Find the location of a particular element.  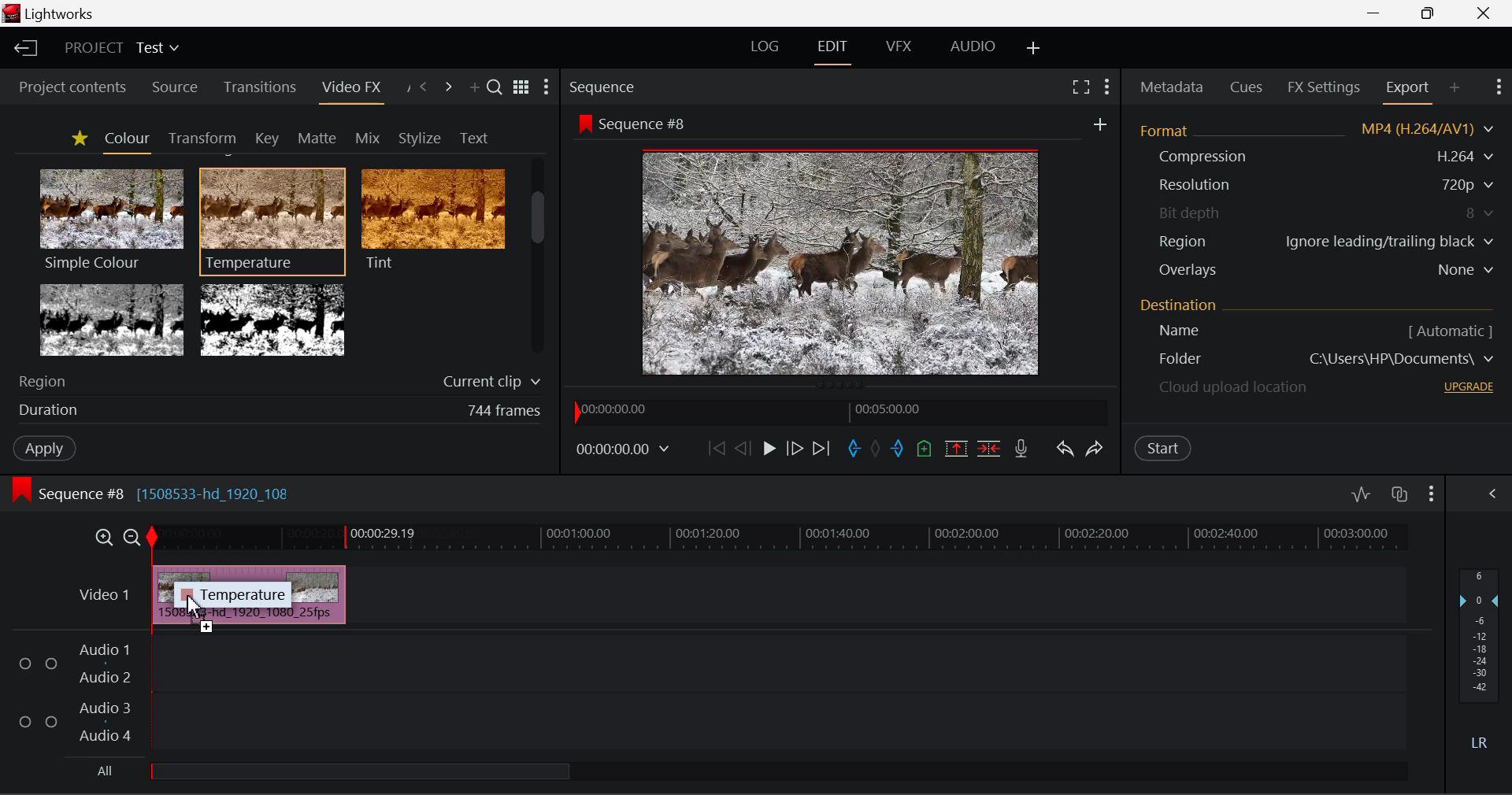

Transform is located at coordinates (199, 137).